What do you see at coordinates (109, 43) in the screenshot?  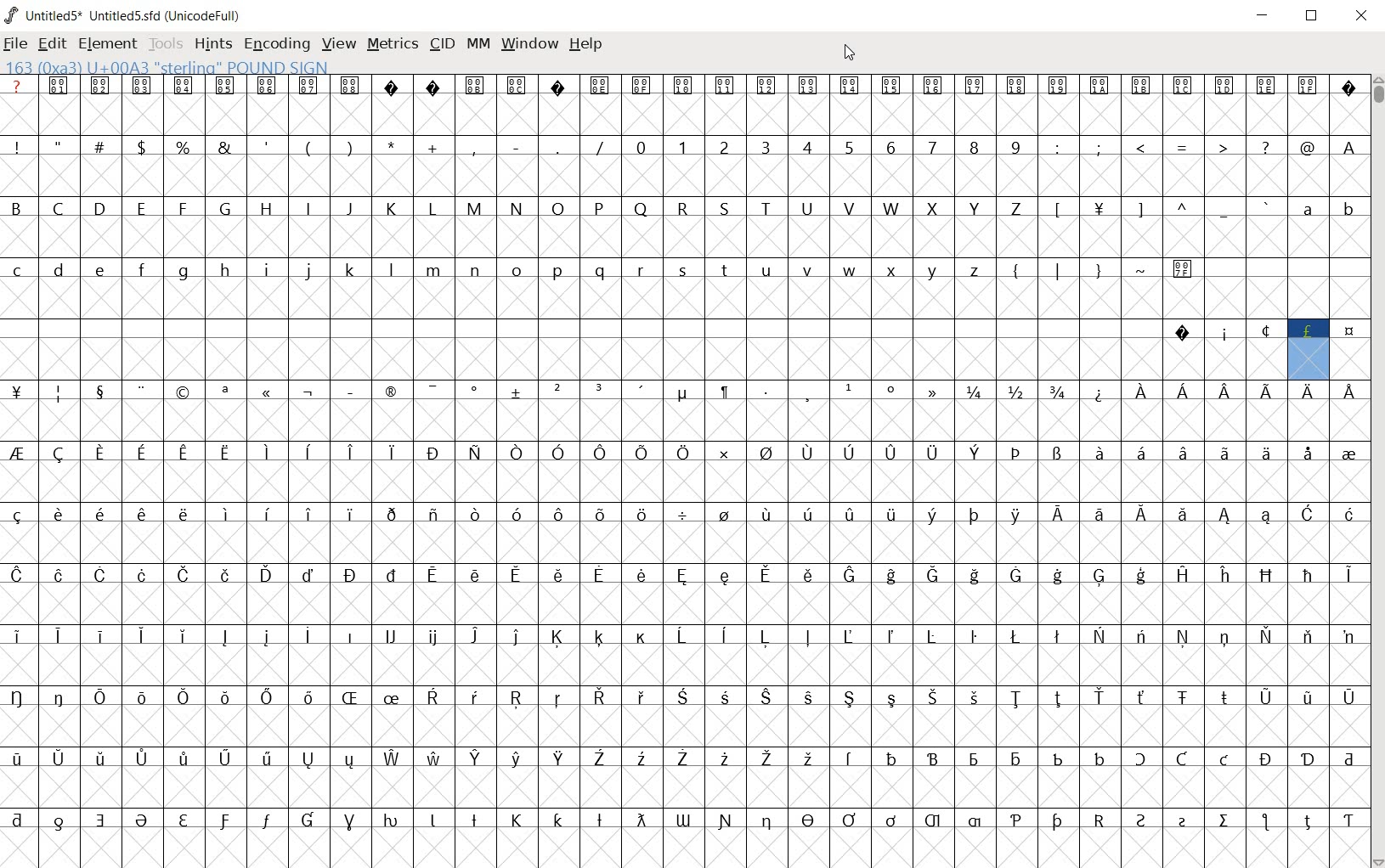 I see `ELEMENT` at bounding box center [109, 43].